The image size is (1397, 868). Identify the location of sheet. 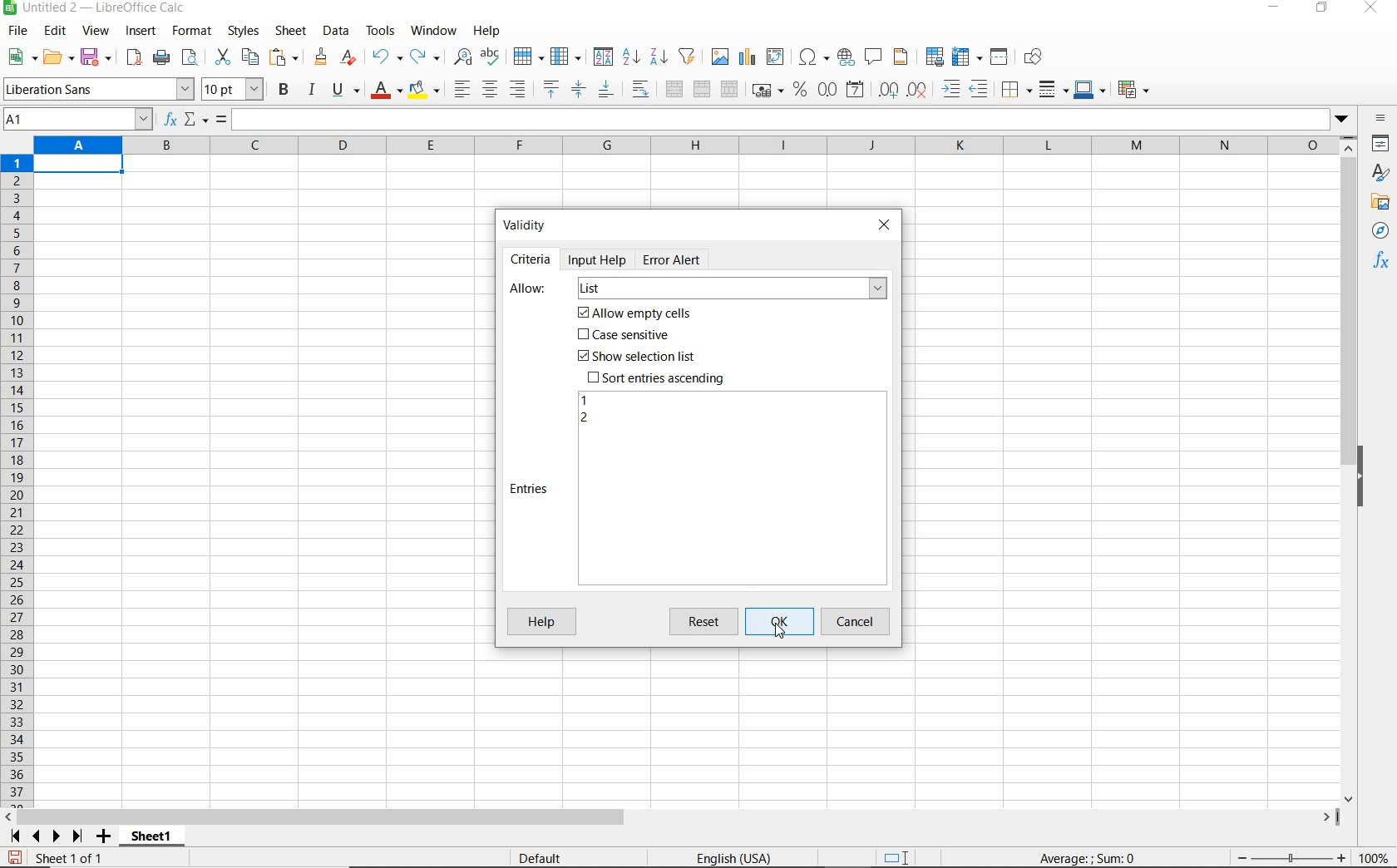
(292, 32).